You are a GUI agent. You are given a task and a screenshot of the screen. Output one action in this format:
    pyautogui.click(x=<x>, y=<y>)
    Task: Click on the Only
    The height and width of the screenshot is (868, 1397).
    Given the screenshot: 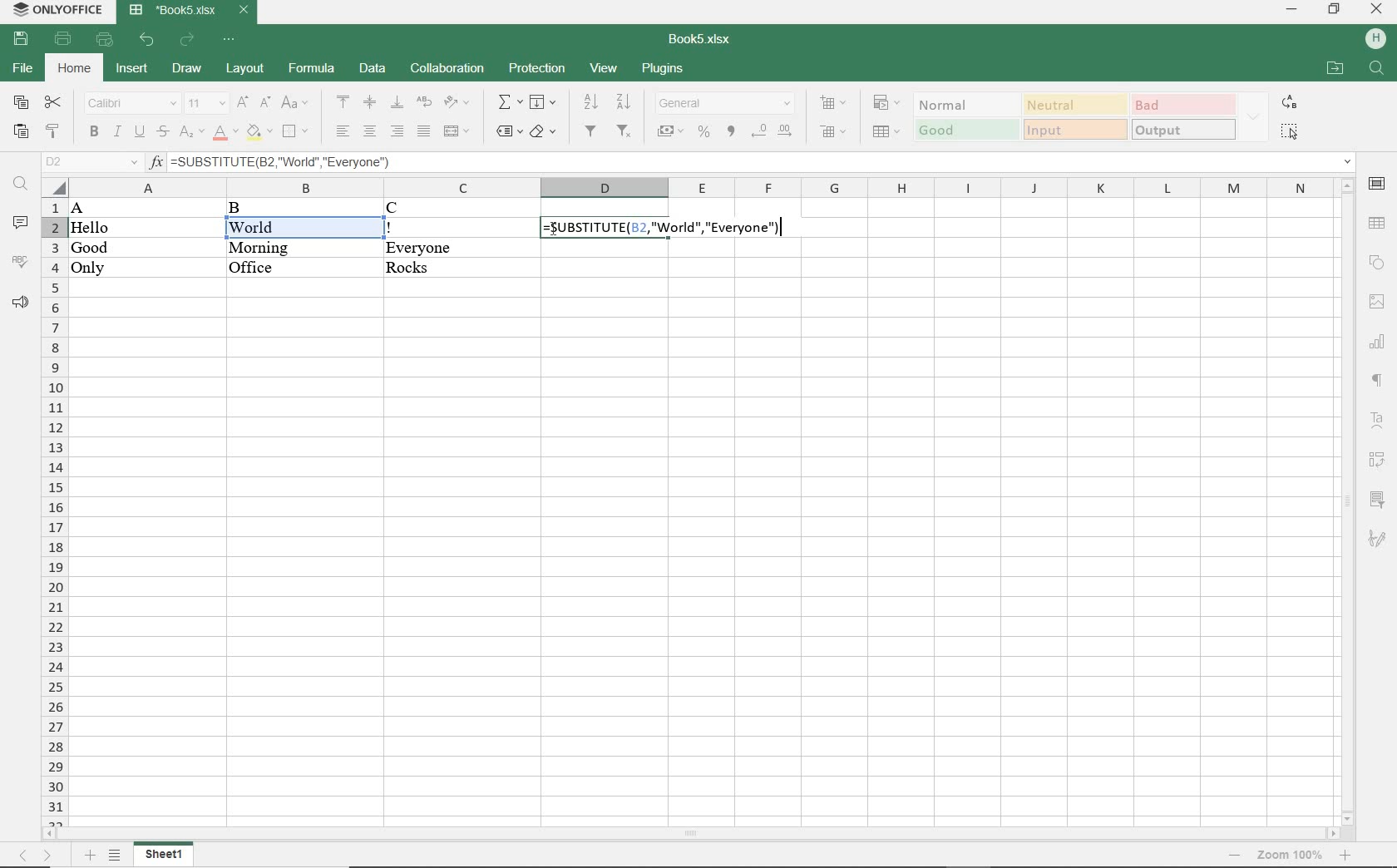 What is the action you would take?
    pyautogui.click(x=97, y=269)
    